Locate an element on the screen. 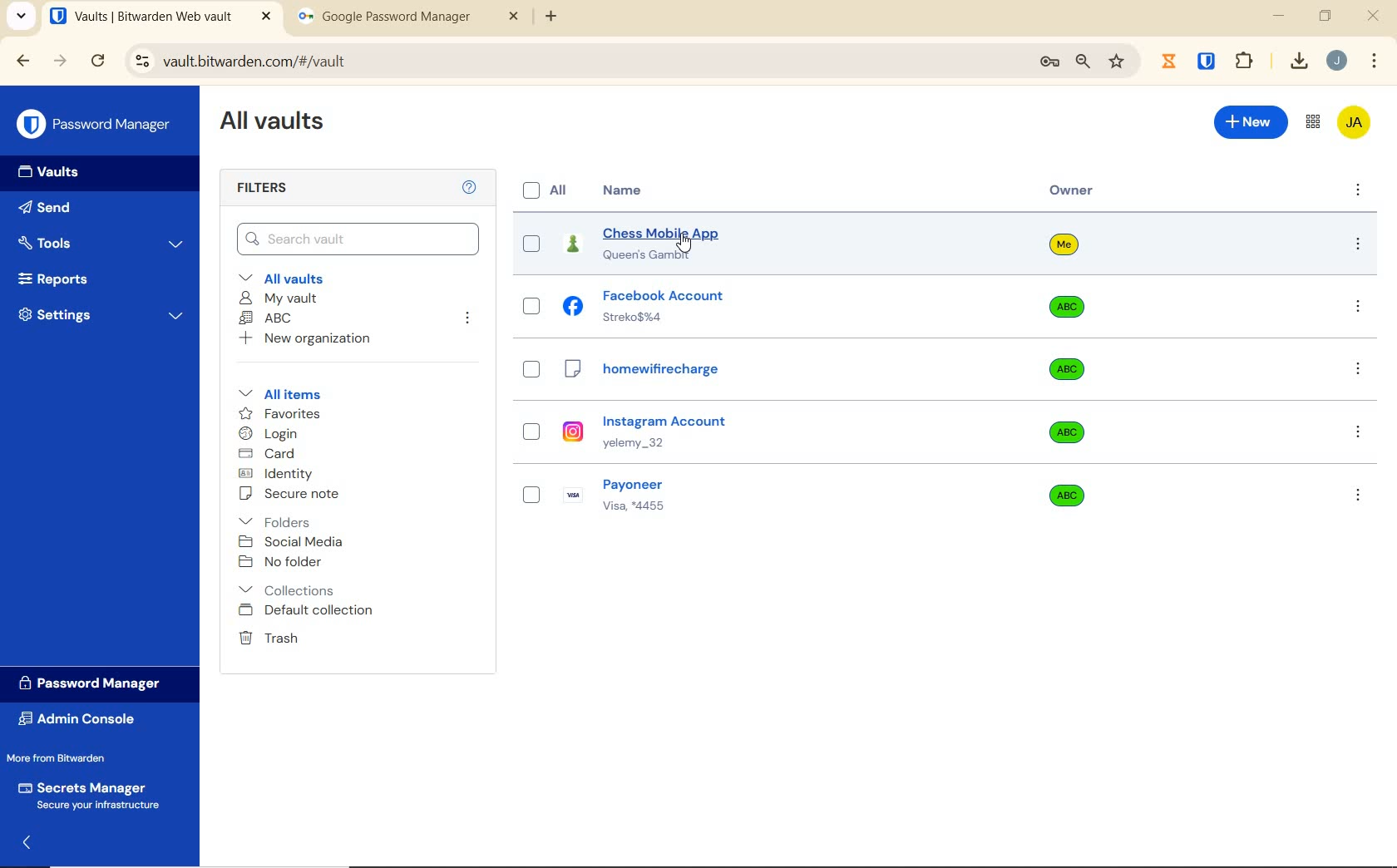 This screenshot has height=868, width=1397. more options is located at coordinates (1358, 245).